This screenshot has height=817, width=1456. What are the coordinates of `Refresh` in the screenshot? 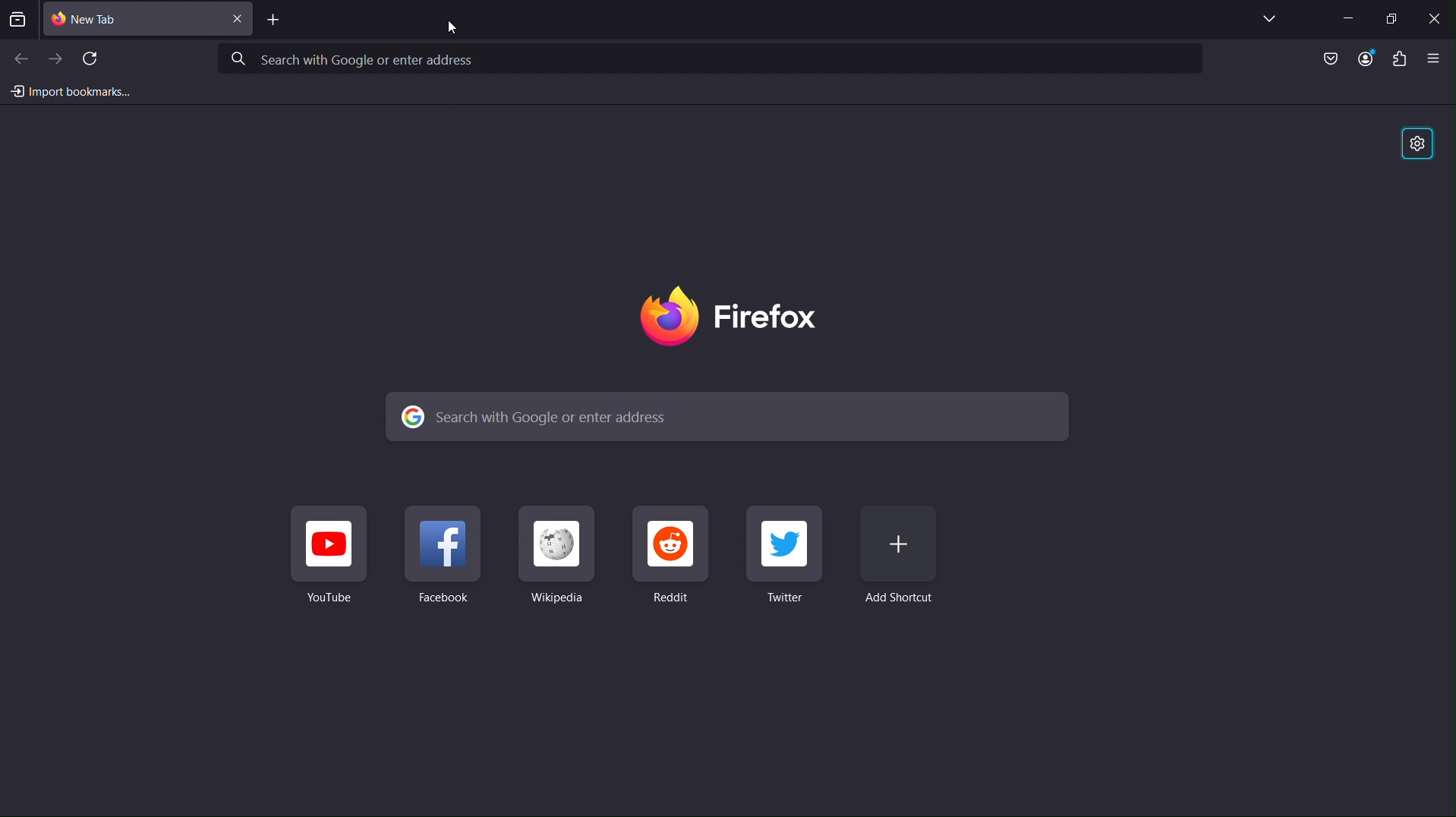 It's located at (93, 56).